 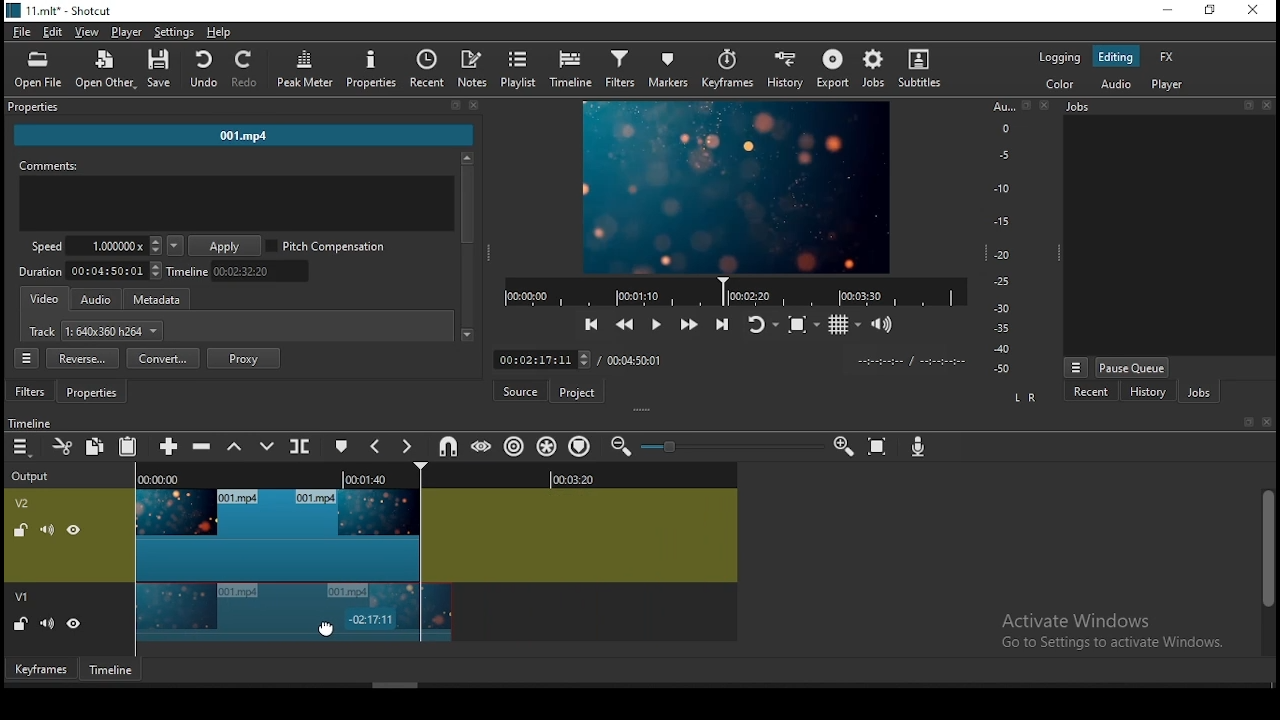 What do you see at coordinates (21, 448) in the screenshot?
I see `timeline menu` at bounding box center [21, 448].